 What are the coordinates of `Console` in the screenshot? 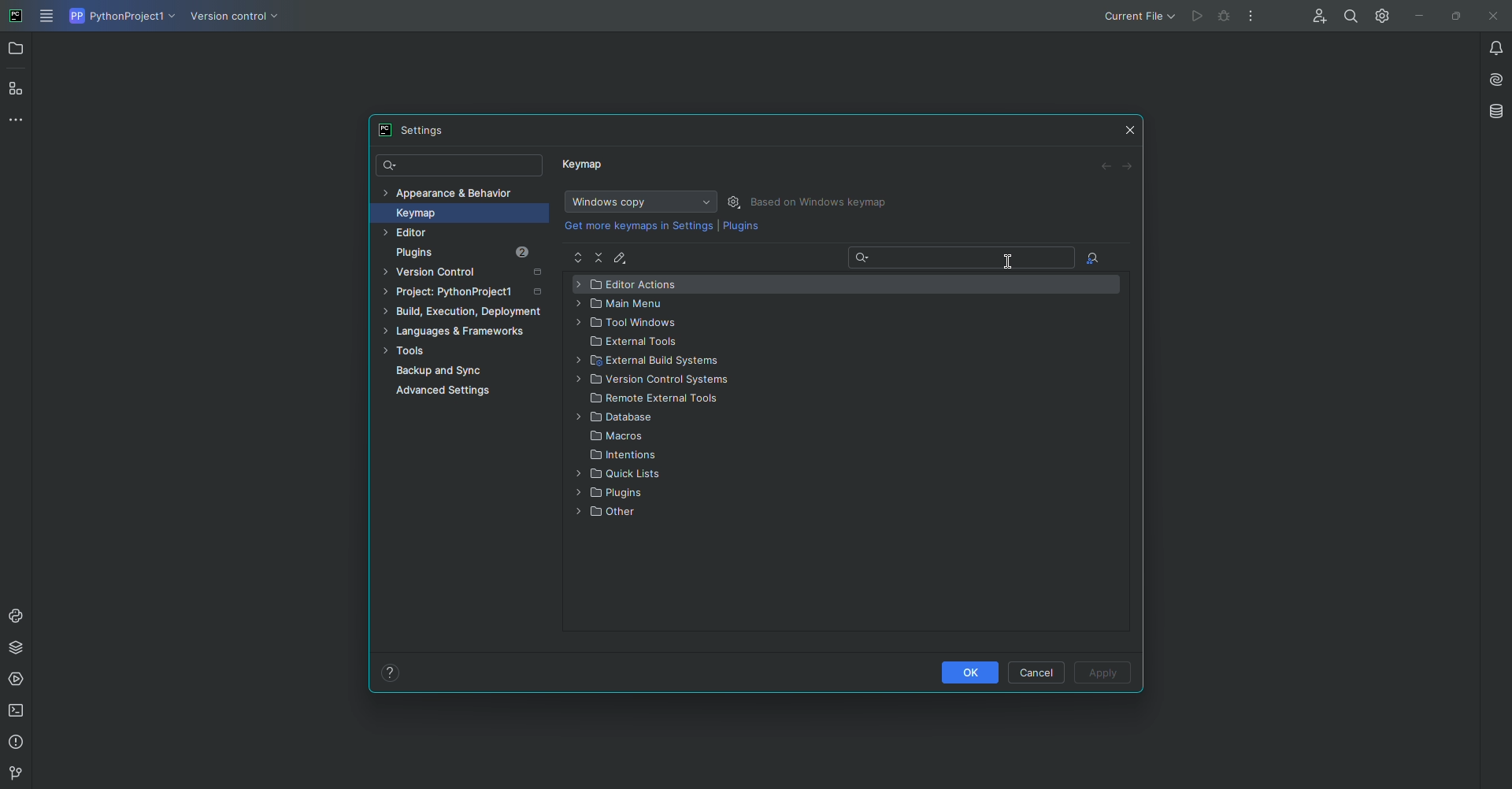 It's located at (17, 616).